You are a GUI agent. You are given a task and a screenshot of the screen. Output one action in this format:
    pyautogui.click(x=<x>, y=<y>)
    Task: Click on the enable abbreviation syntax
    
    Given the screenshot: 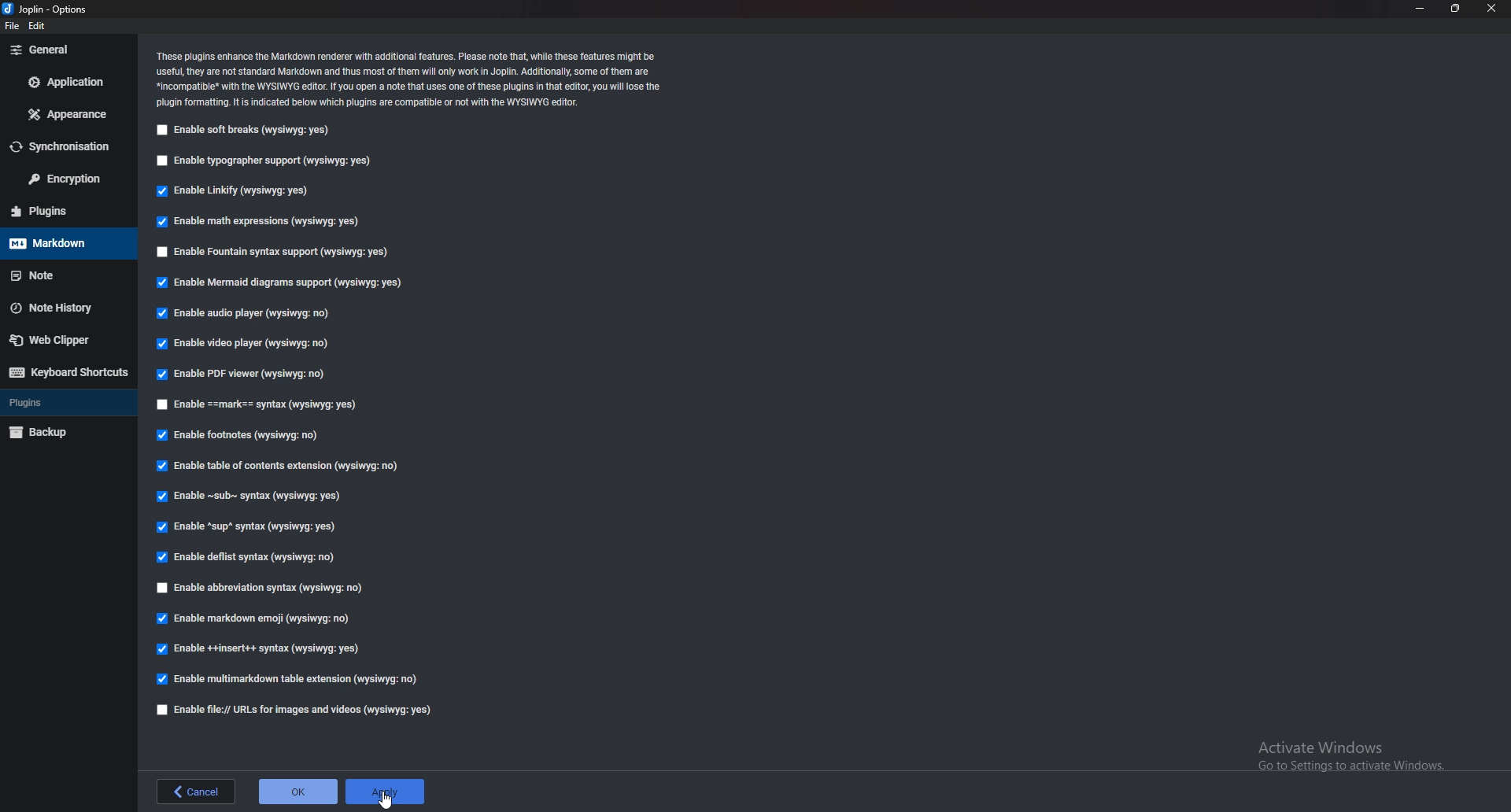 What is the action you would take?
    pyautogui.click(x=273, y=590)
    